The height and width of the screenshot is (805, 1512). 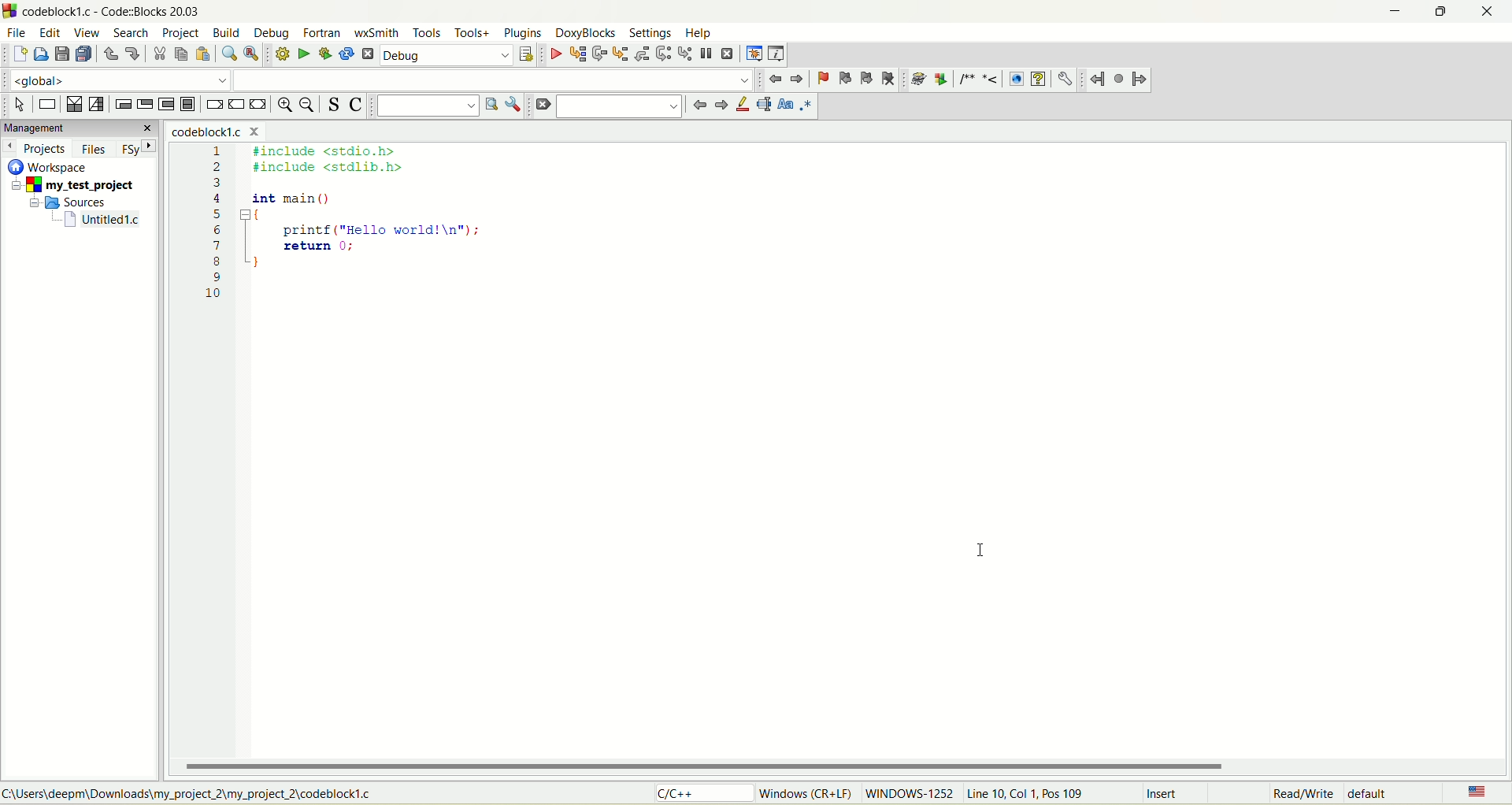 I want to click on C/C++, so click(x=706, y=794).